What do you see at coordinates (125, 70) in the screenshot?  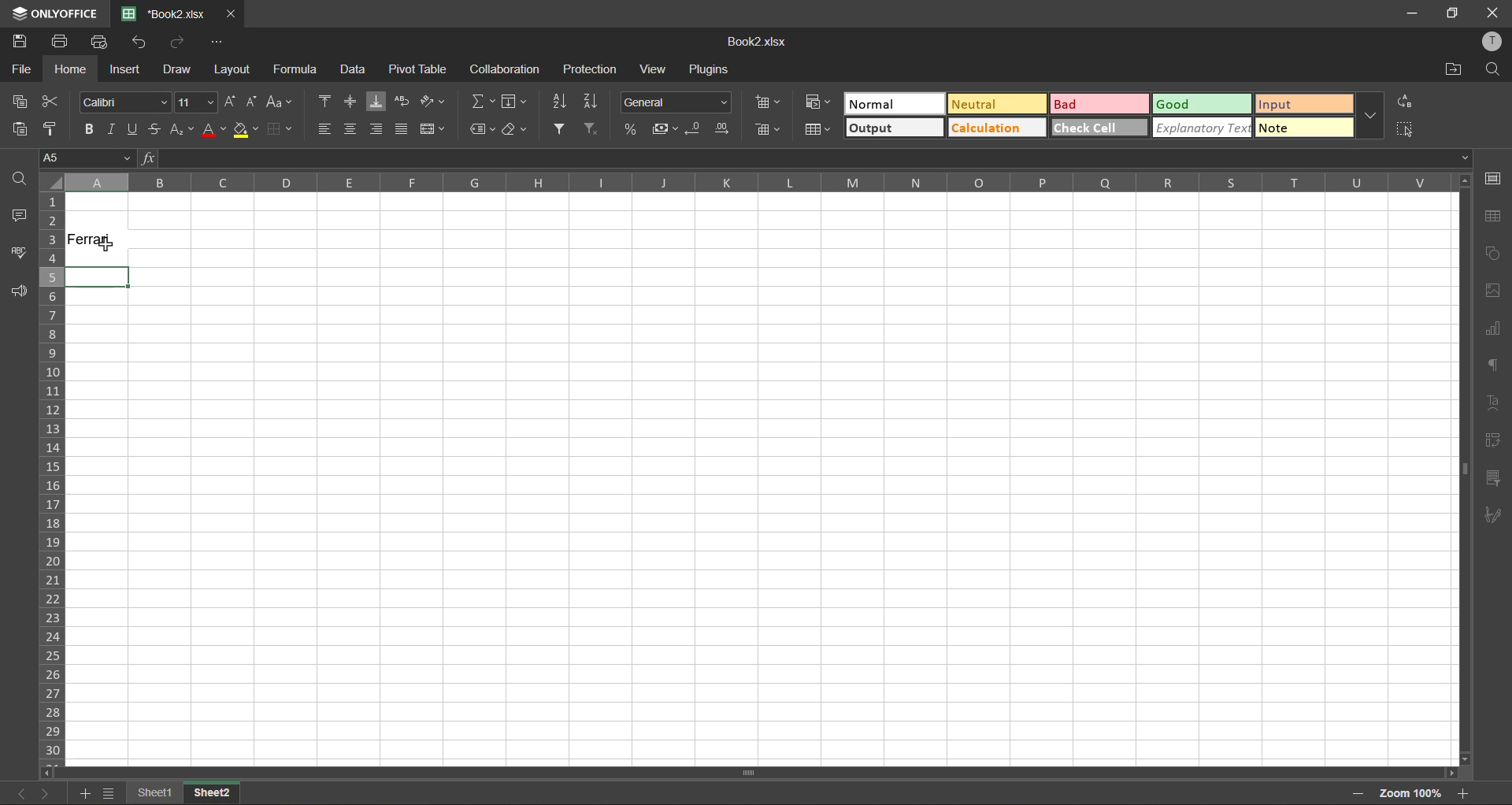 I see `insert` at bounding box center [125, 70].